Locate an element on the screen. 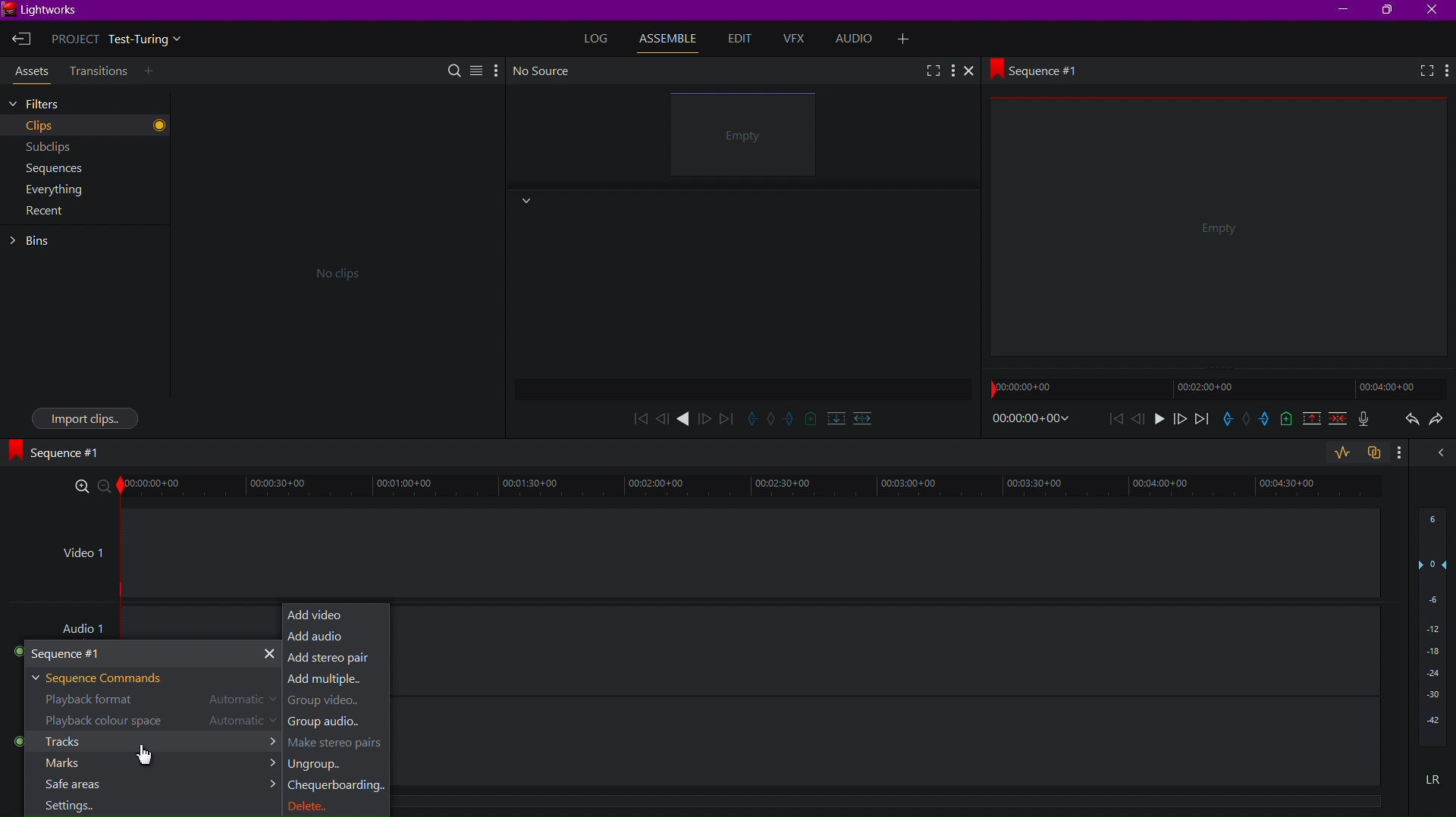  Subclips is located at coordinates (49, 146).